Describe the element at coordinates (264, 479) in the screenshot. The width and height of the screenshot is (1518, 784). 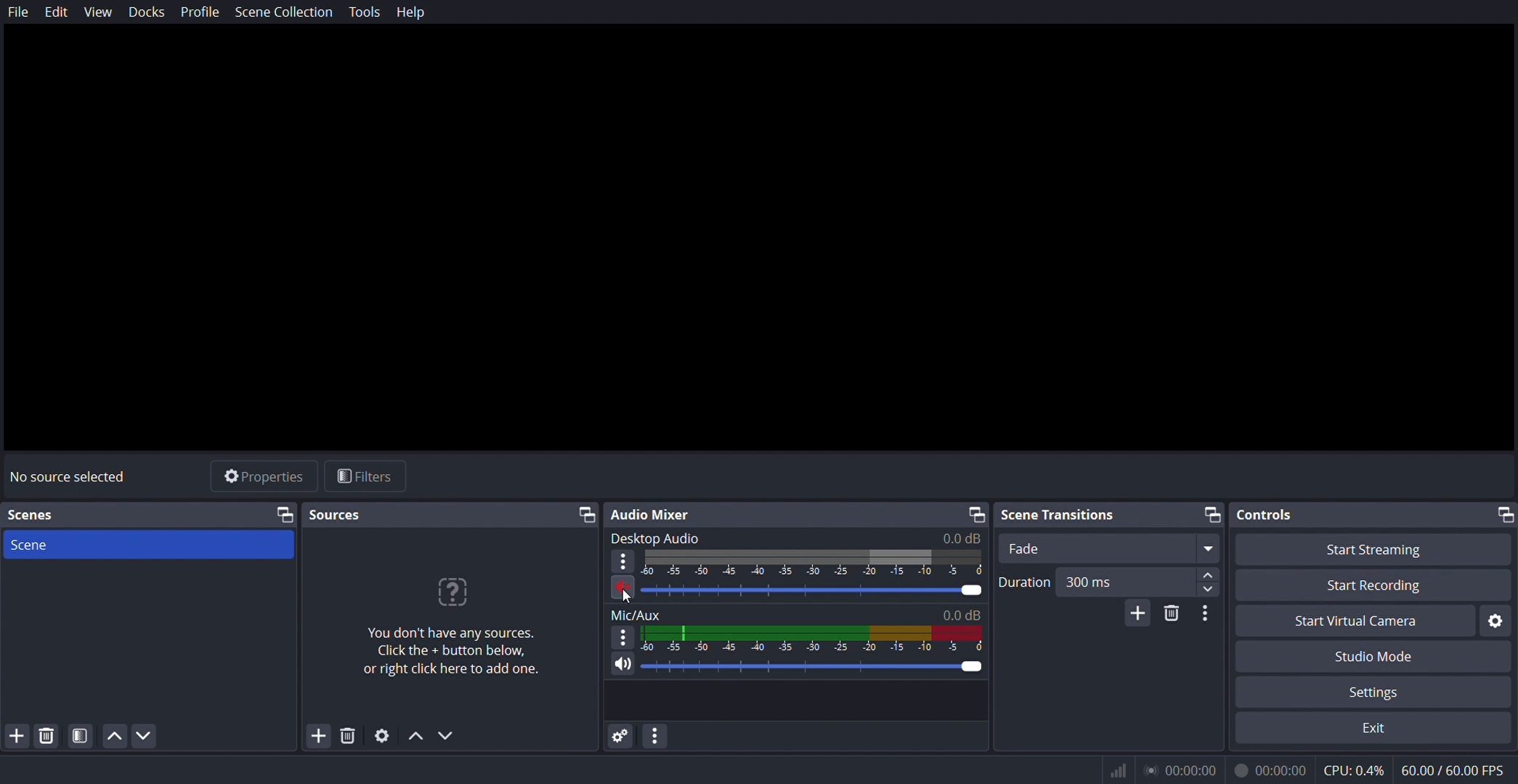
I see `properties` at that location.